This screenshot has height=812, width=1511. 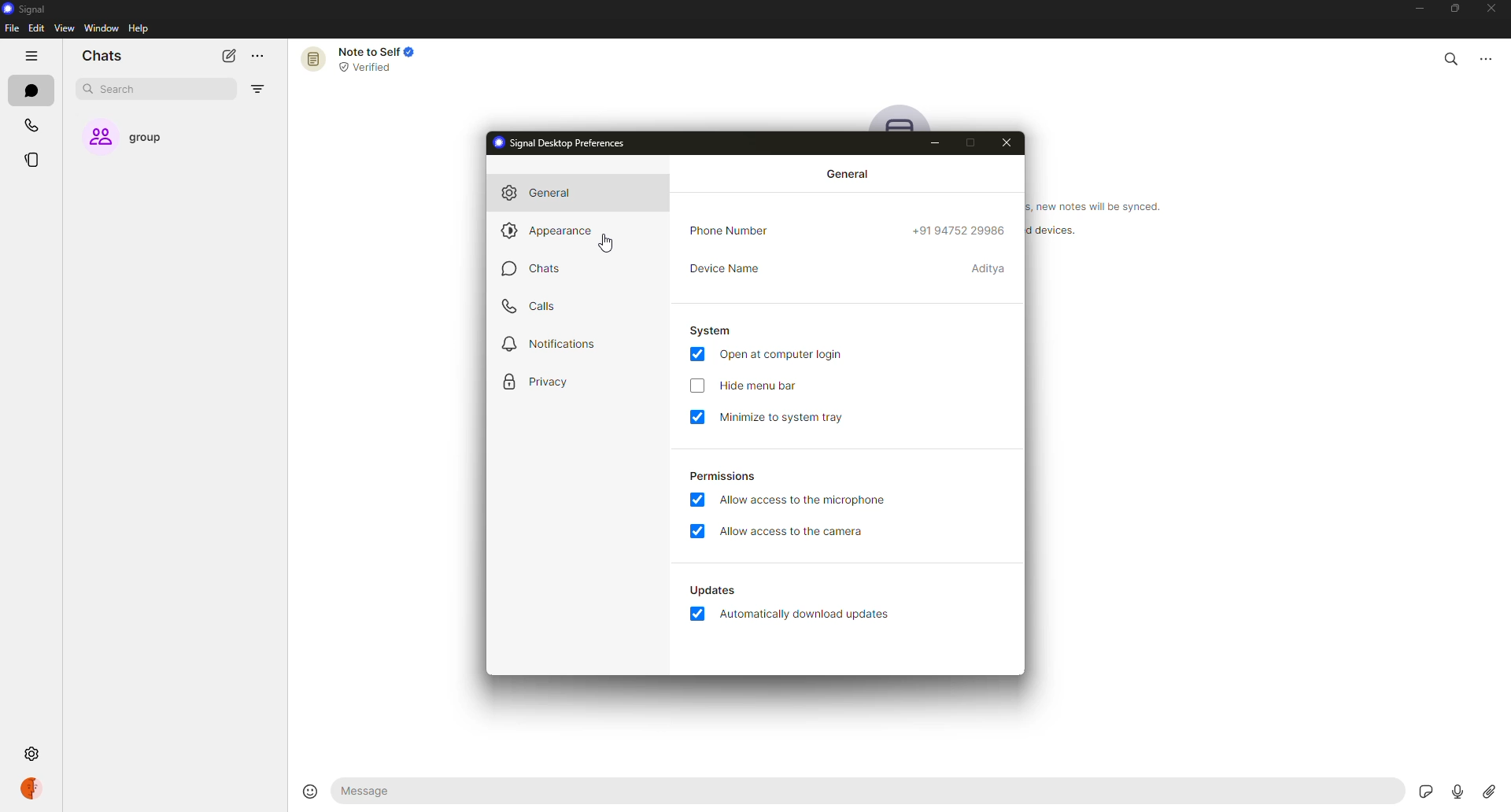 I want to click on phone number, so click(x=735, y=230).